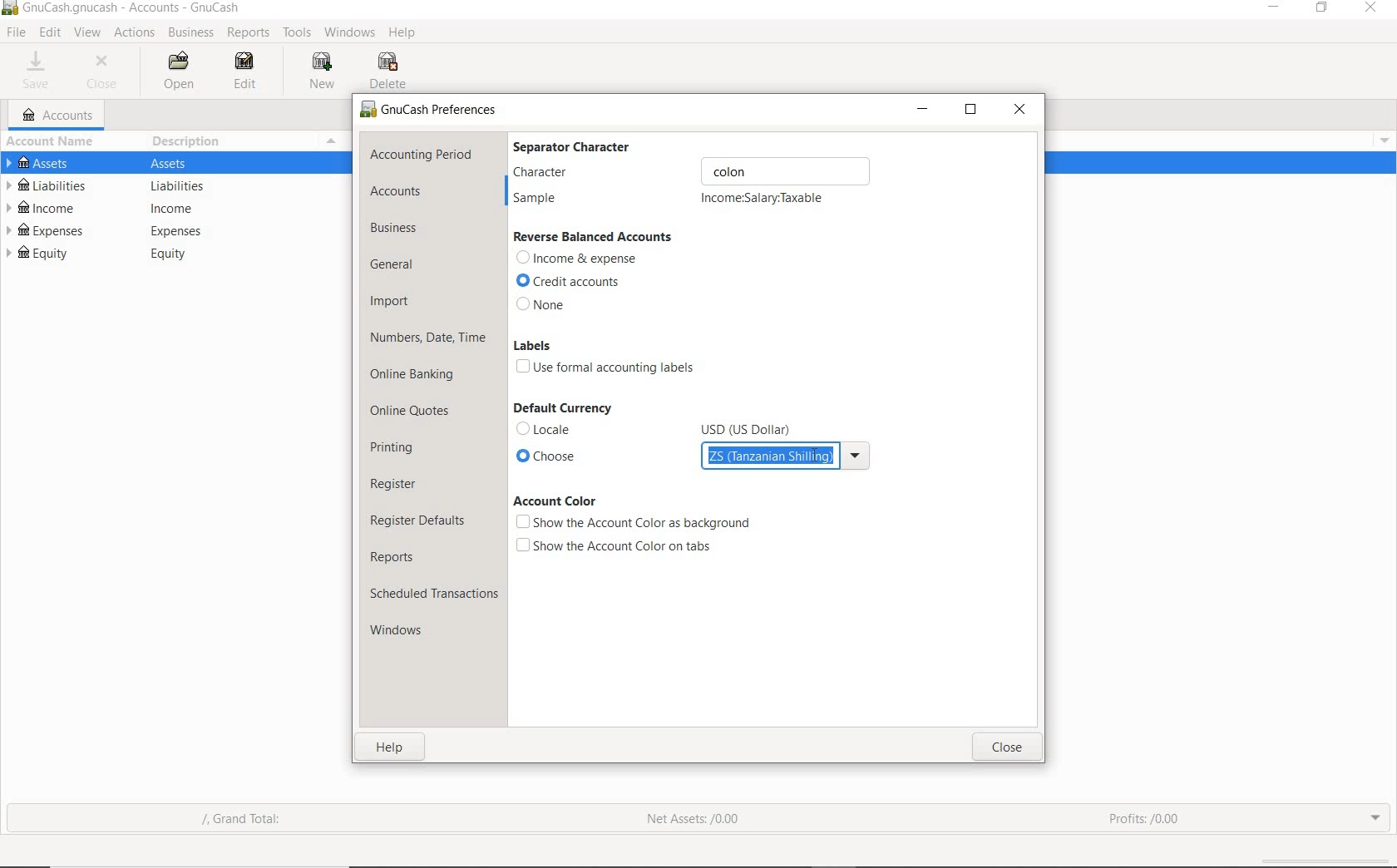 The image size is (1397, 868). I want to click on none, so click(544, 305).